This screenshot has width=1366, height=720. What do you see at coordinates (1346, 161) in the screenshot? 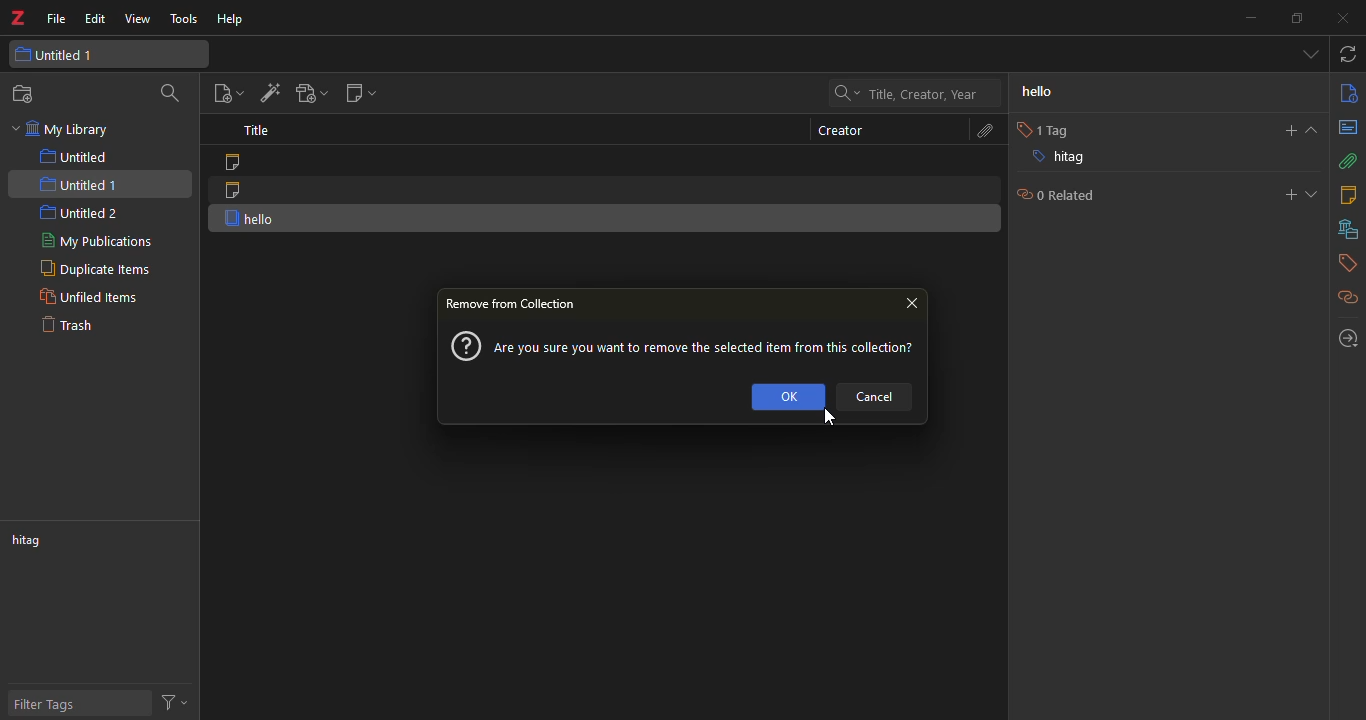
I see `attach` at bounding box center [1346, 161].